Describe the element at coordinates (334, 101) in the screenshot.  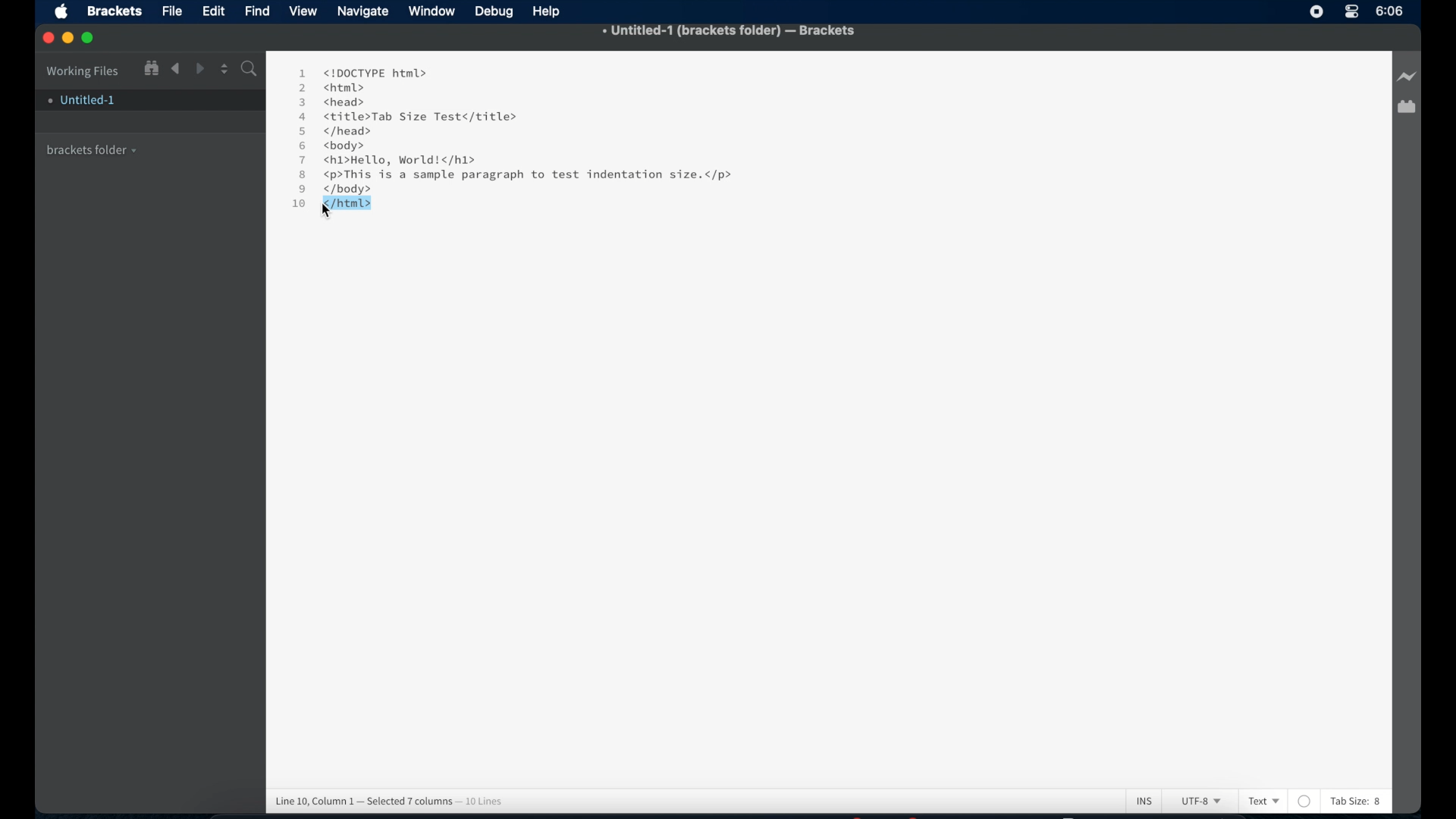
I see `3 <head>` at that location.